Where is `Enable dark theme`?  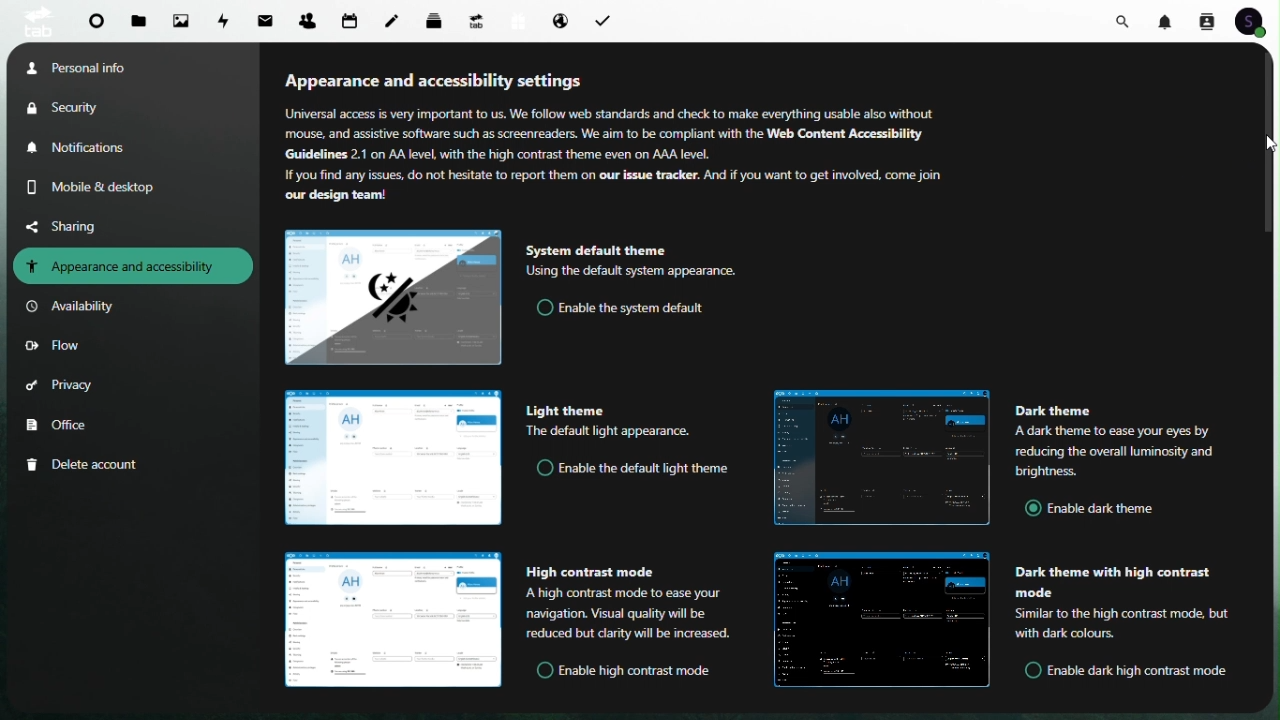 Enable dark theme is located at coordinates (1098, 509).